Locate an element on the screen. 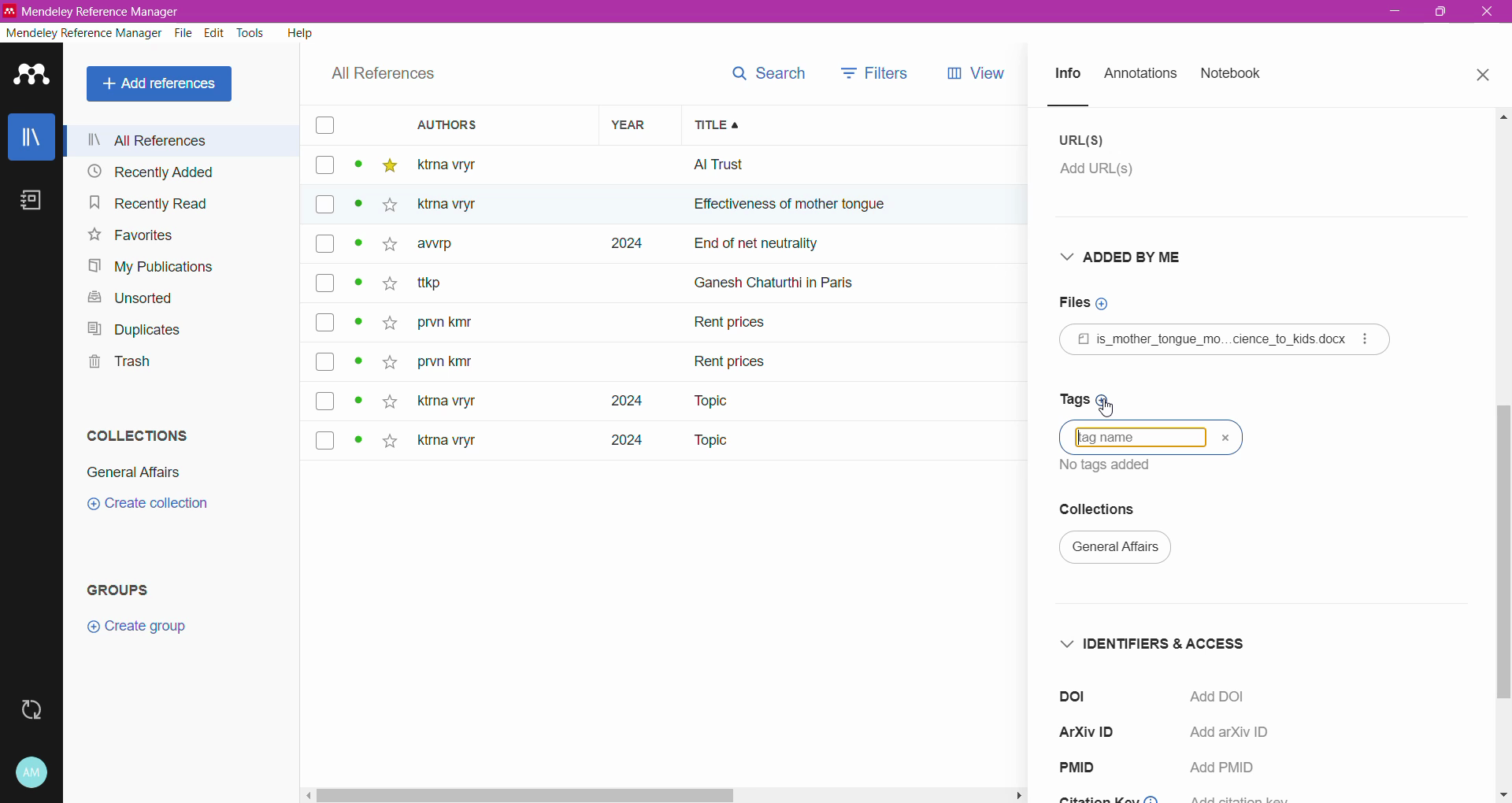  ~ ttkp is located at coordinates (455, 283).